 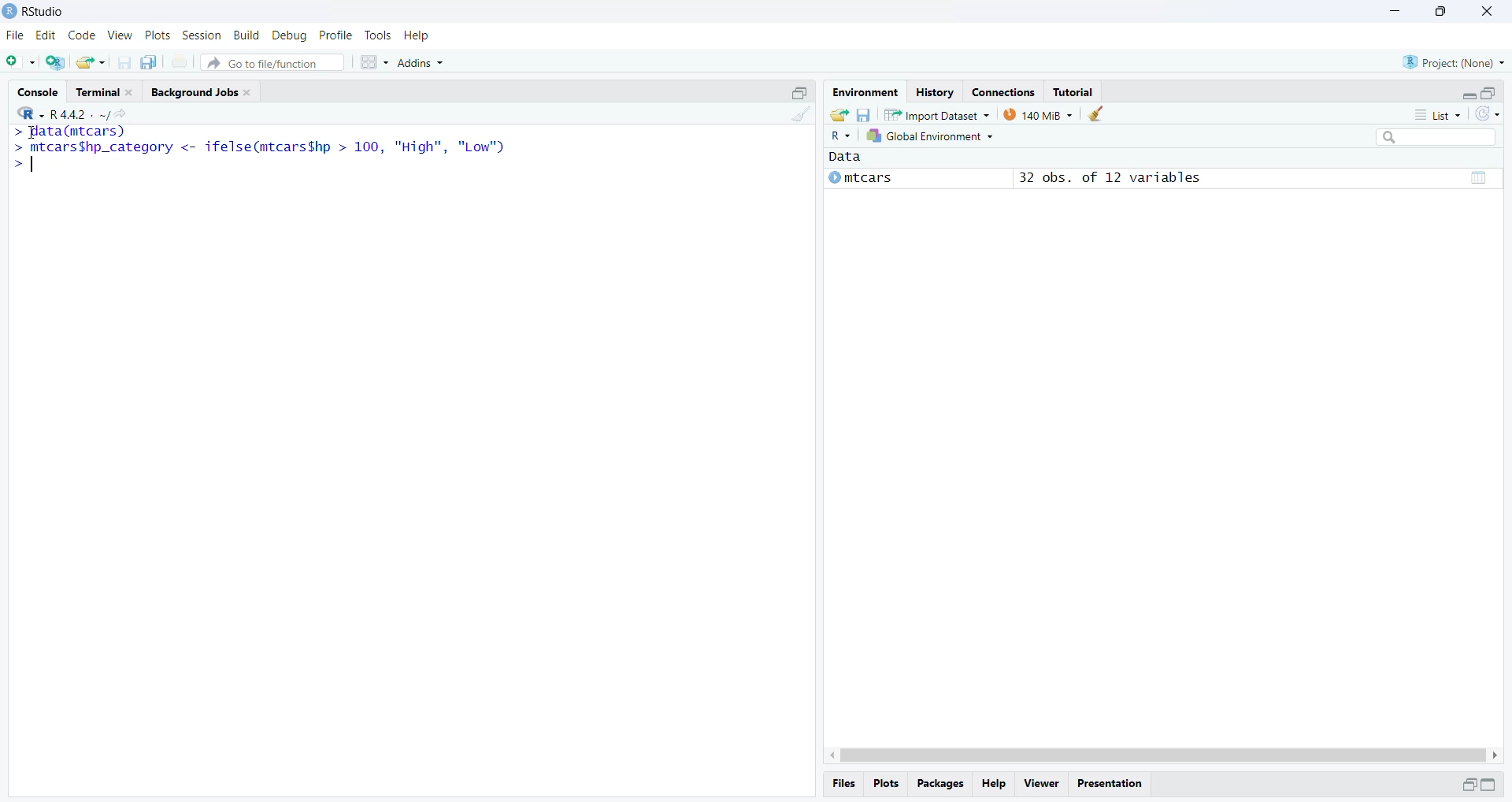 What do you see at coordinates (1076, 91) in the screenshot?
I see `Tutorial` at bounding box center [1076, 91].